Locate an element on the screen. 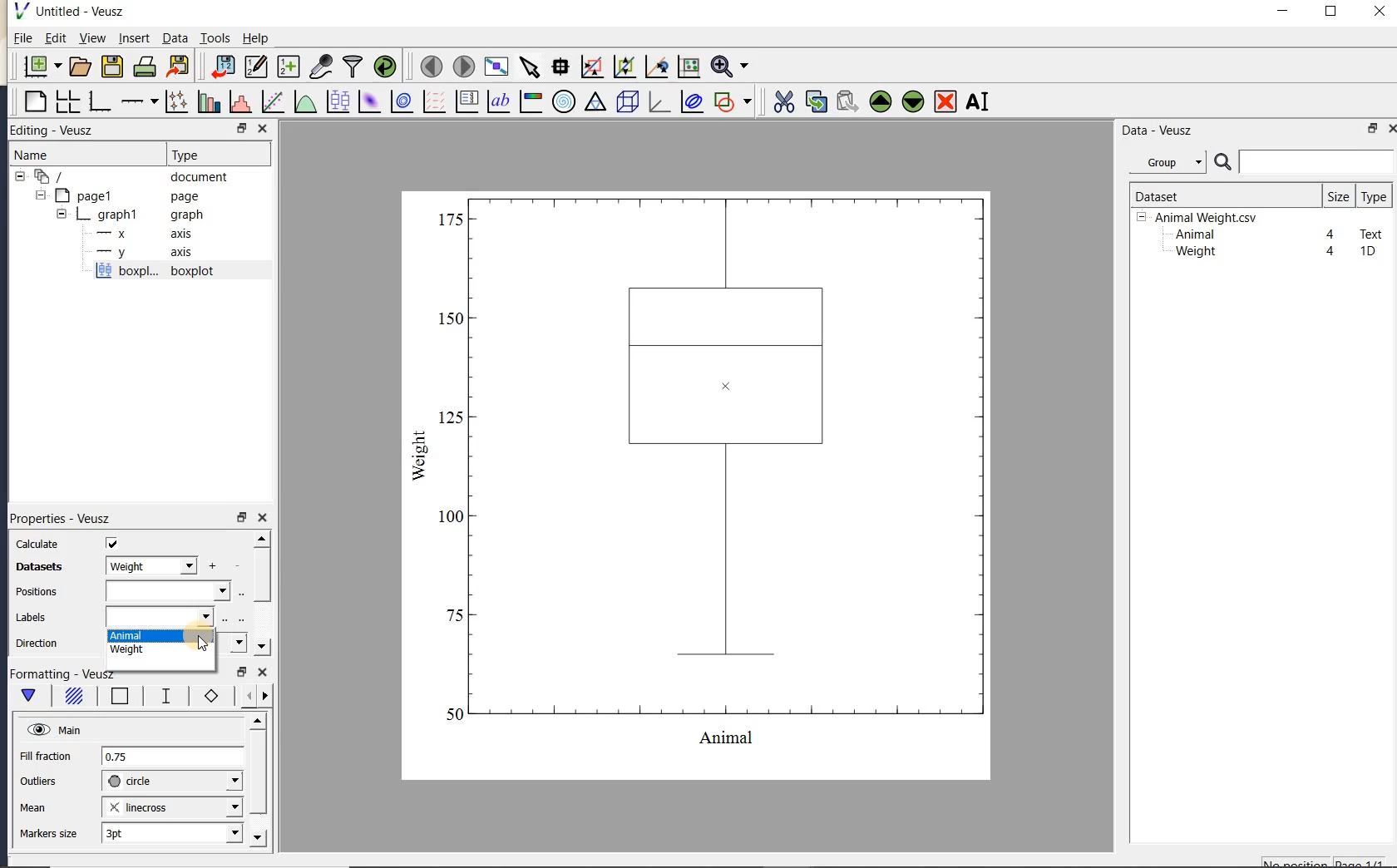 The width and height of the screenshot is (1397, 868). box plot is located at coordinates (698, 484).